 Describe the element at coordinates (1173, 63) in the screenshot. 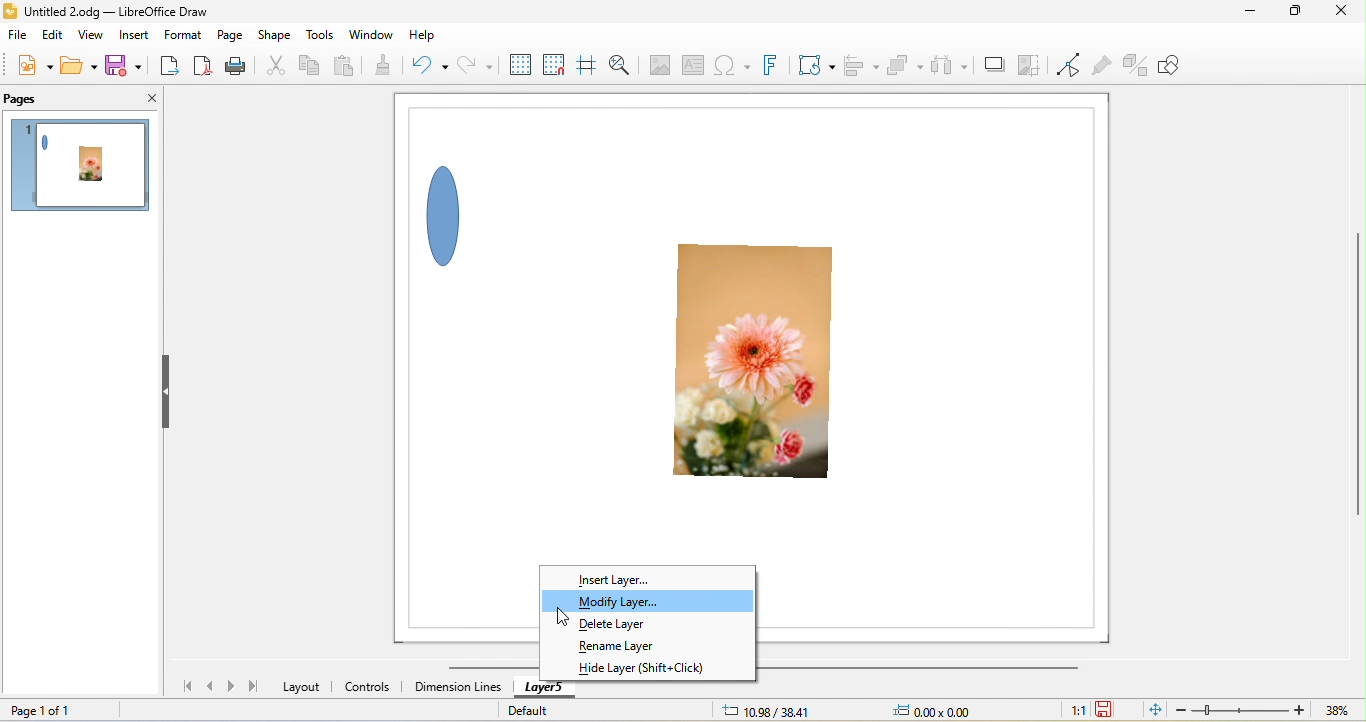

I see `show draw function ` at that location.